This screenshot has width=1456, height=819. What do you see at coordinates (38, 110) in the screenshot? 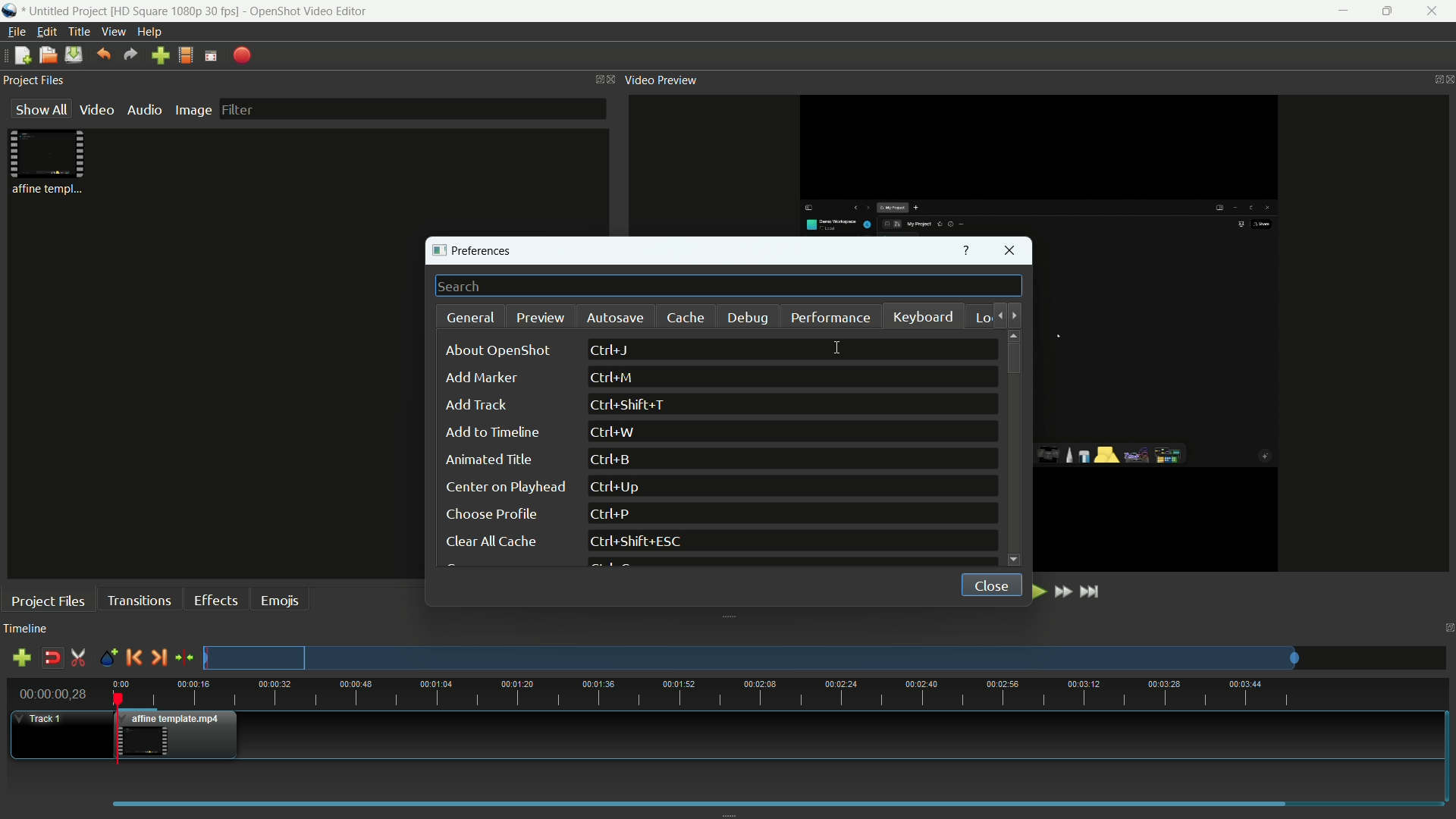
I see `show all` at bounding box center [38, 110].